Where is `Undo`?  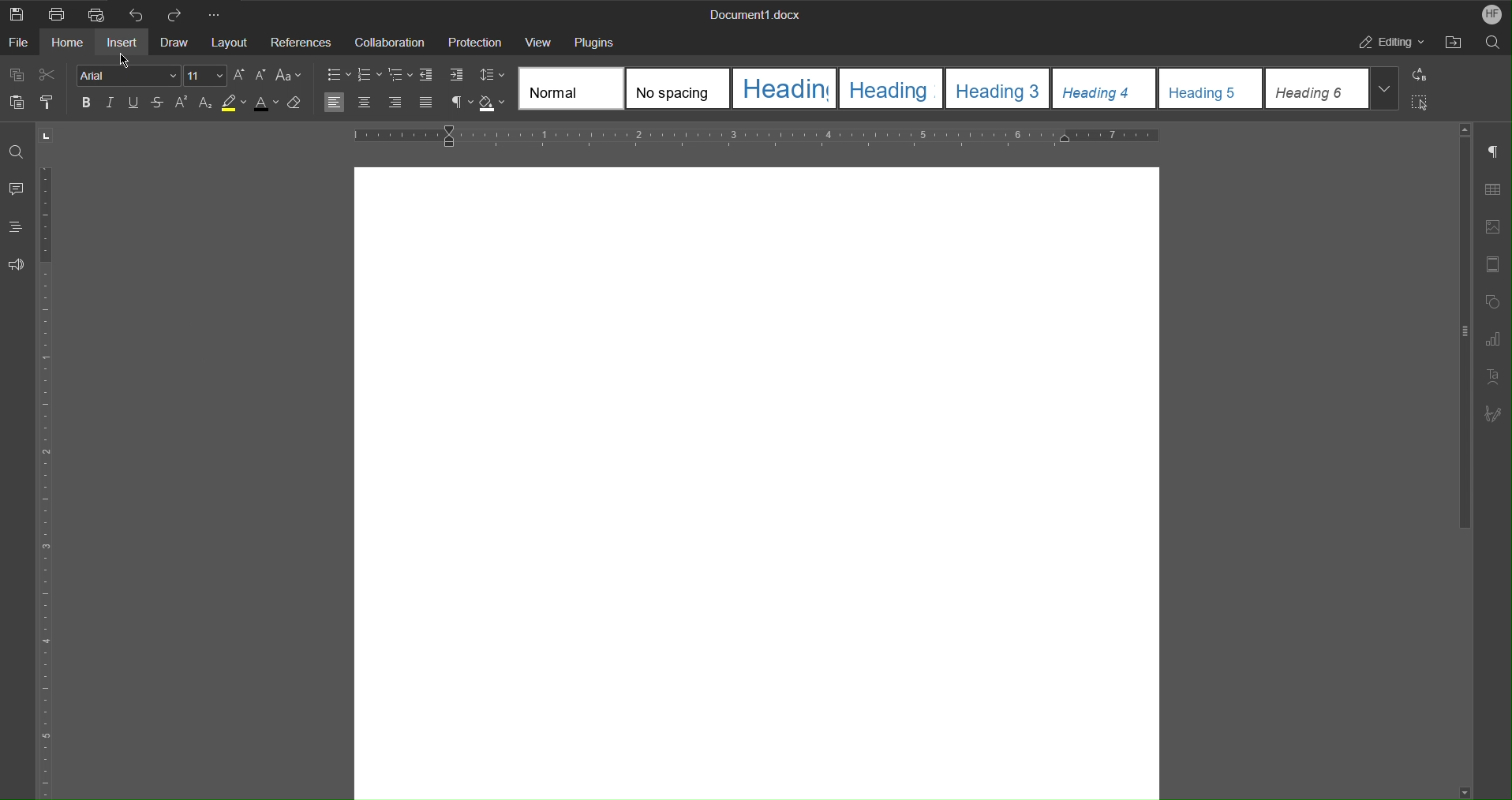 Undo is located at coordinates (140, 13).